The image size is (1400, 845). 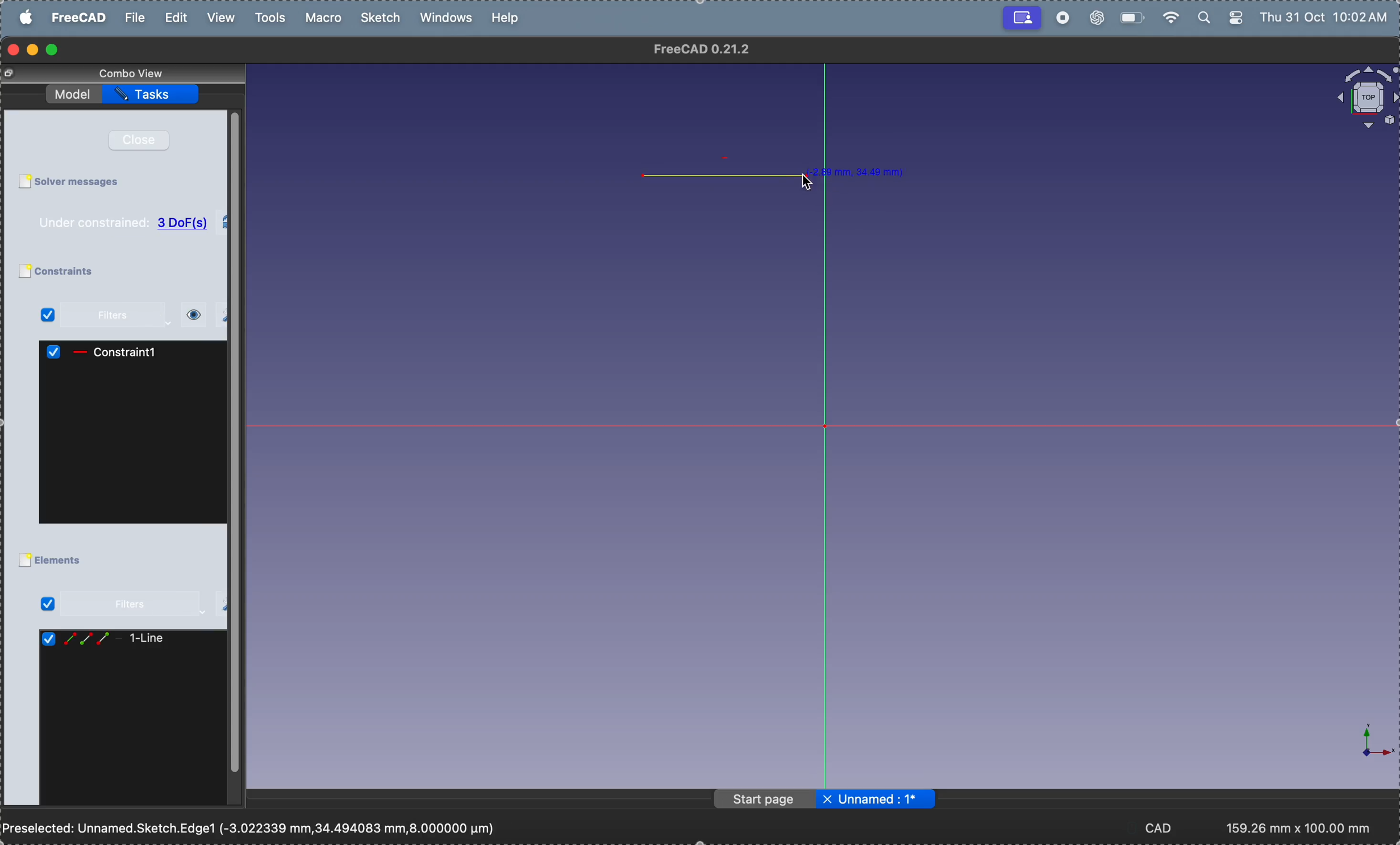 I want to click on filters, so click(x=116, y=316).